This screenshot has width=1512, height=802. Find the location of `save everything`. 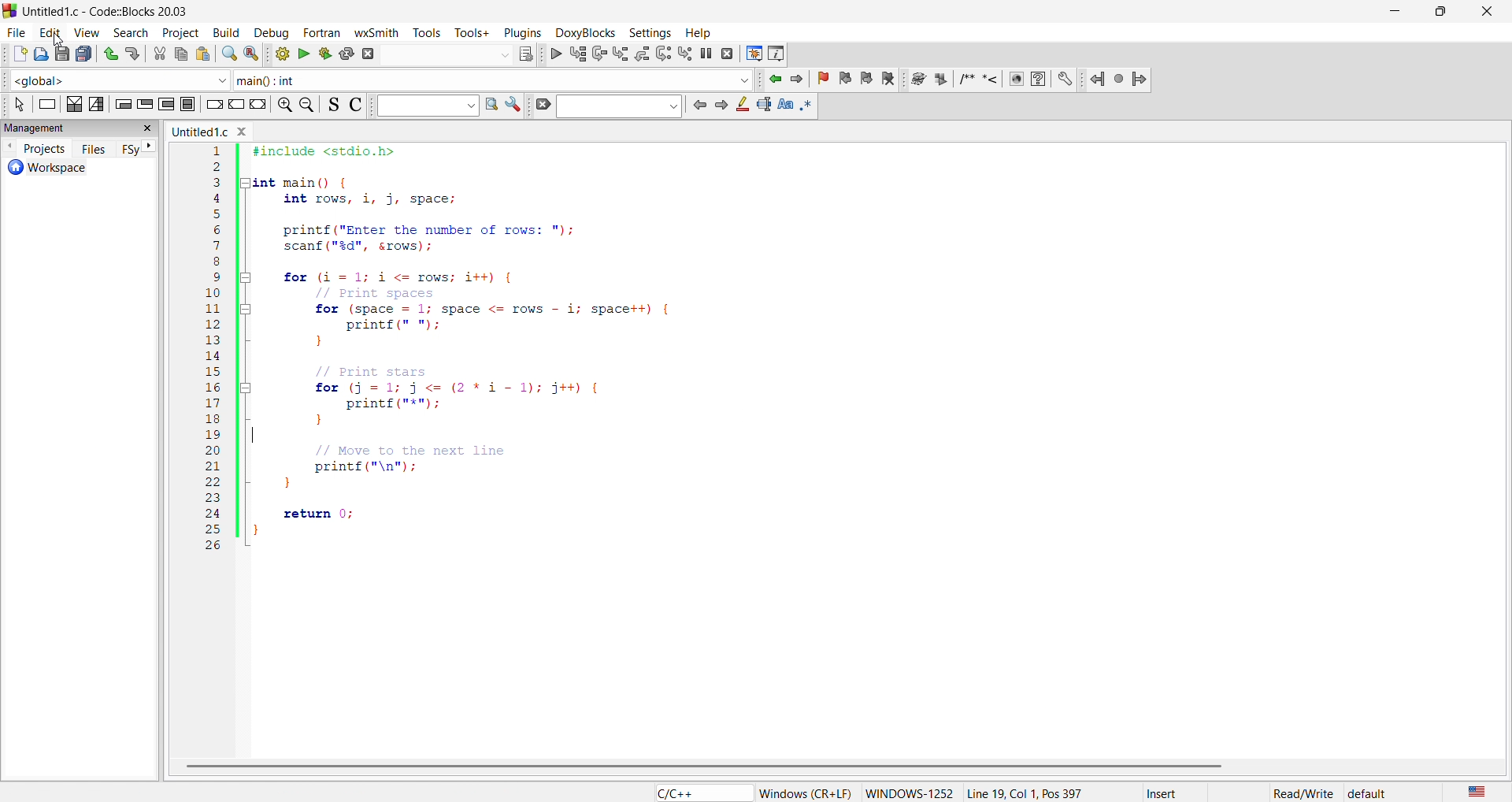

save everything is located at coordinates (87, 54).